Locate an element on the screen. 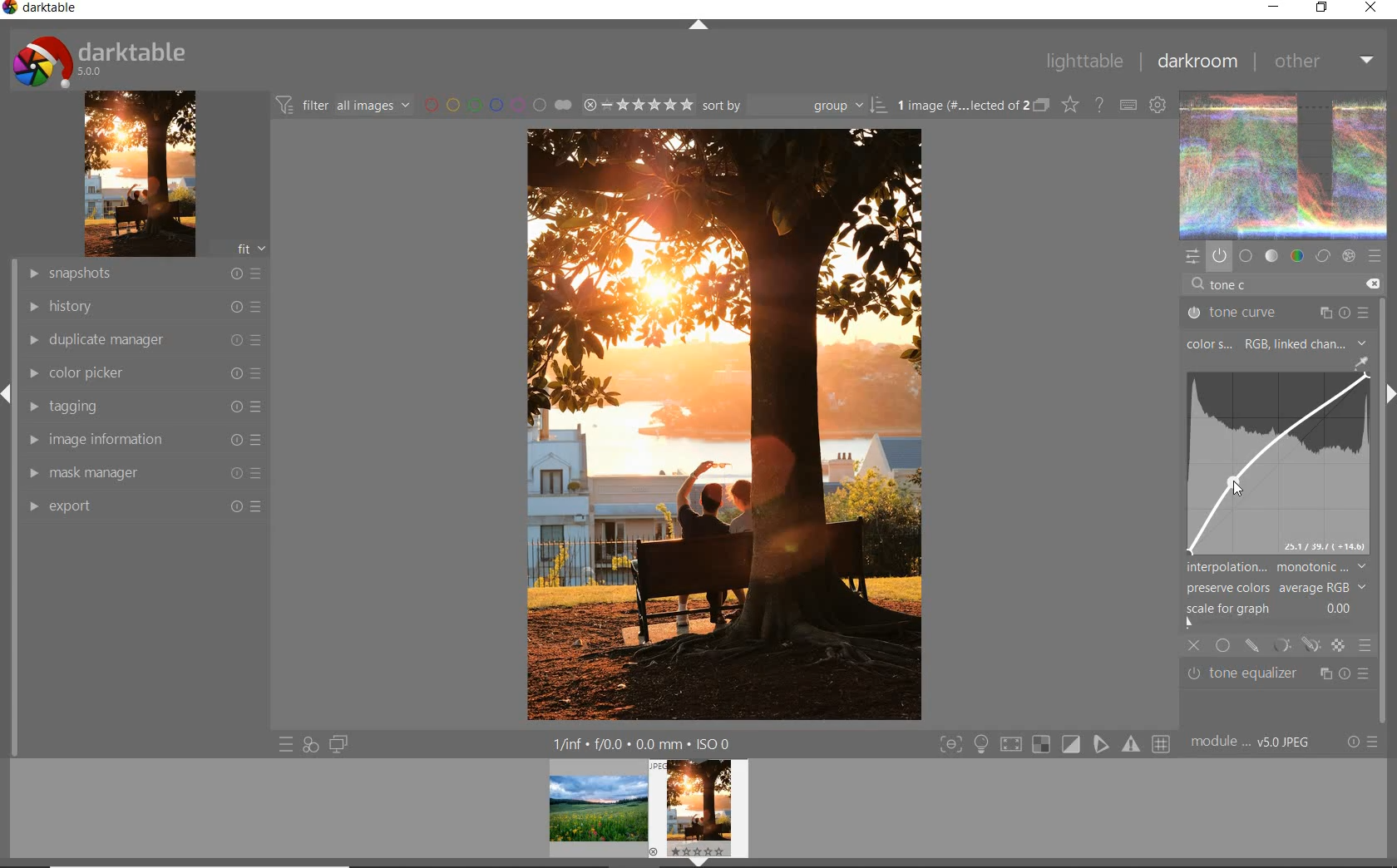 This screenshot has width=1397, height=868. picker tool is located at coordinates (1361, 364).